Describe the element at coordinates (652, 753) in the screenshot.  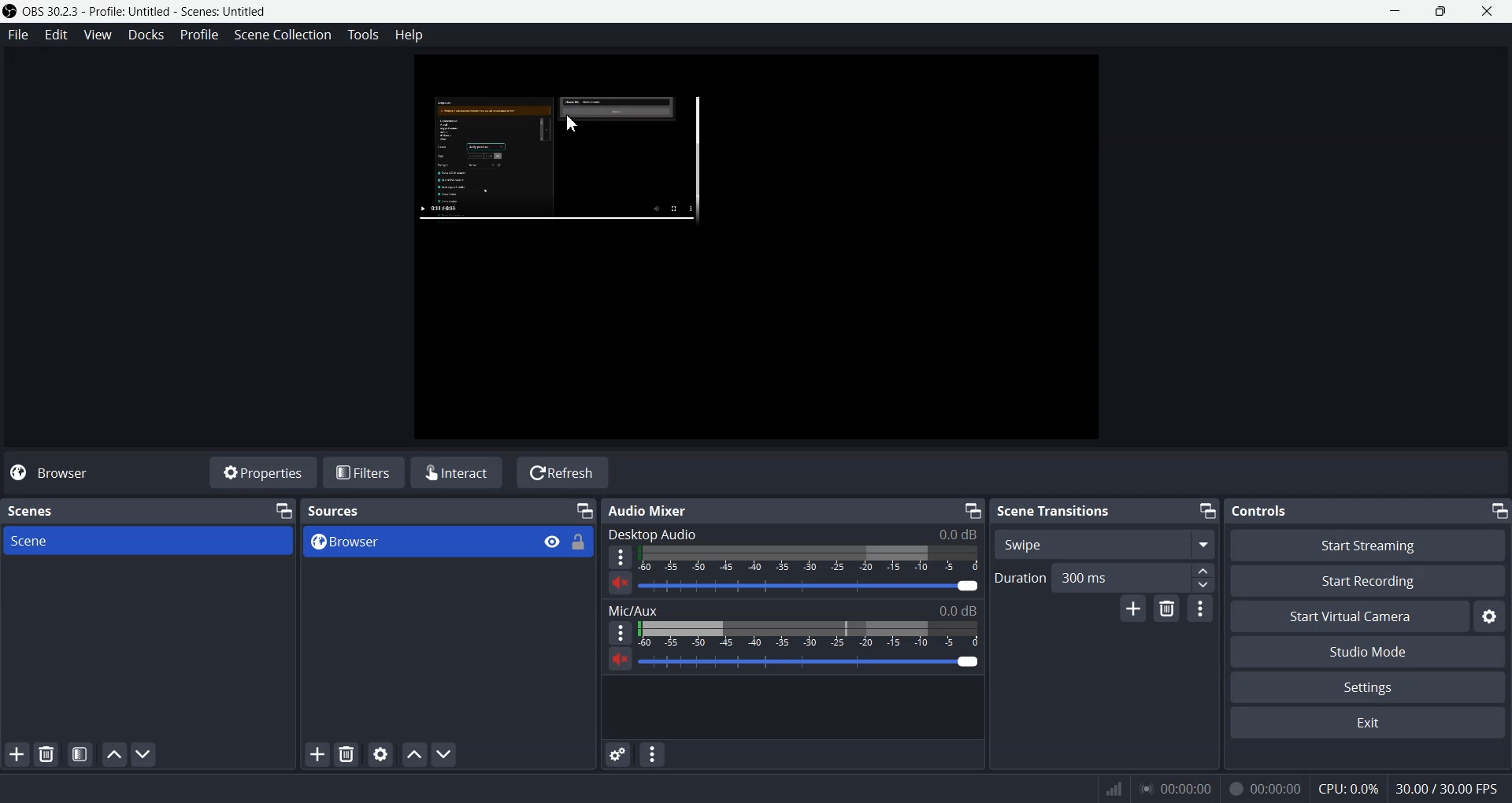
I see `Audio mixer Menu` at that location.